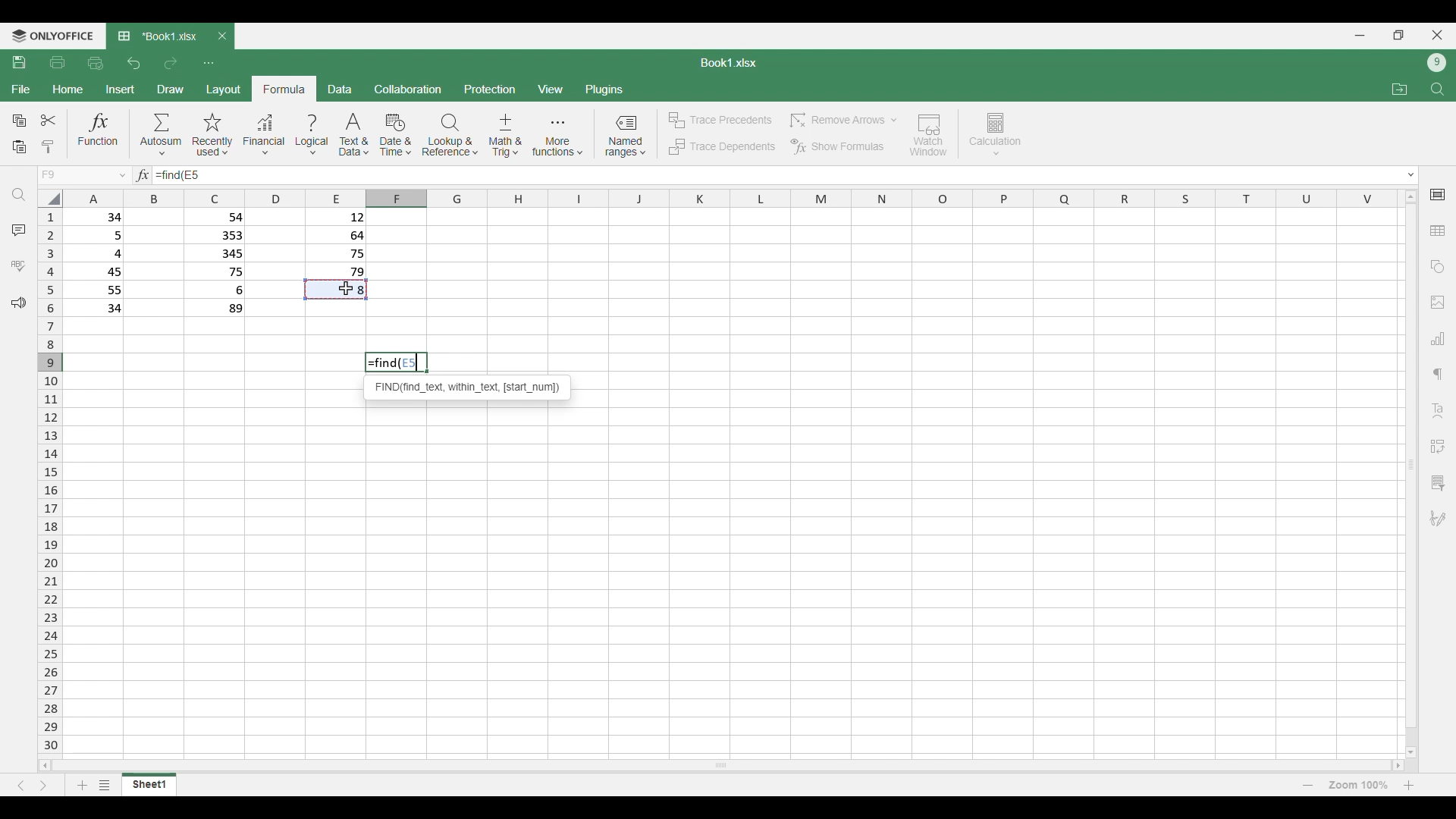 The image size is (1456, 819). I want to click on Insert shapes, so click(1438, 267).